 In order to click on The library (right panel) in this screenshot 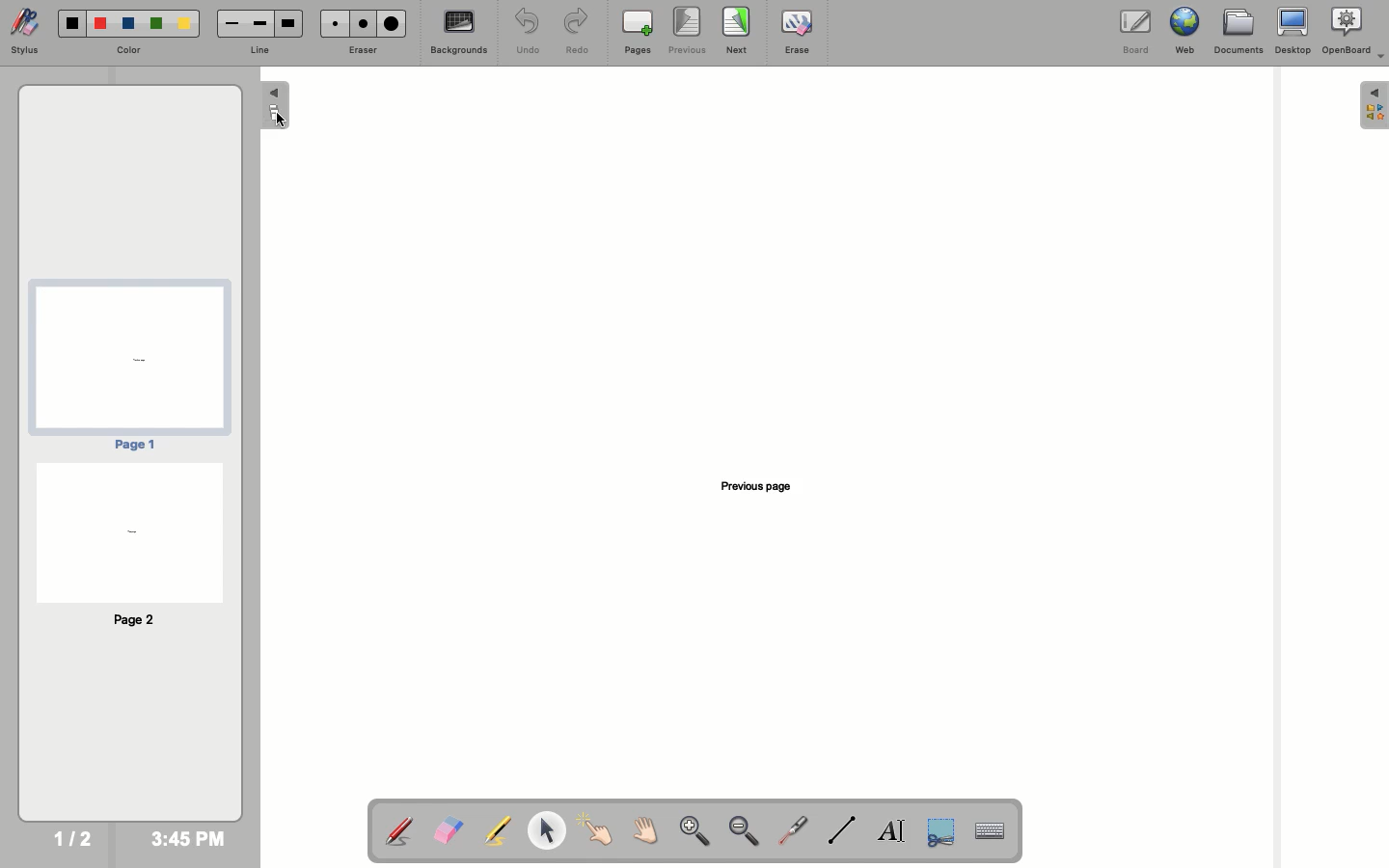, I will do `click(1375, 105)`.